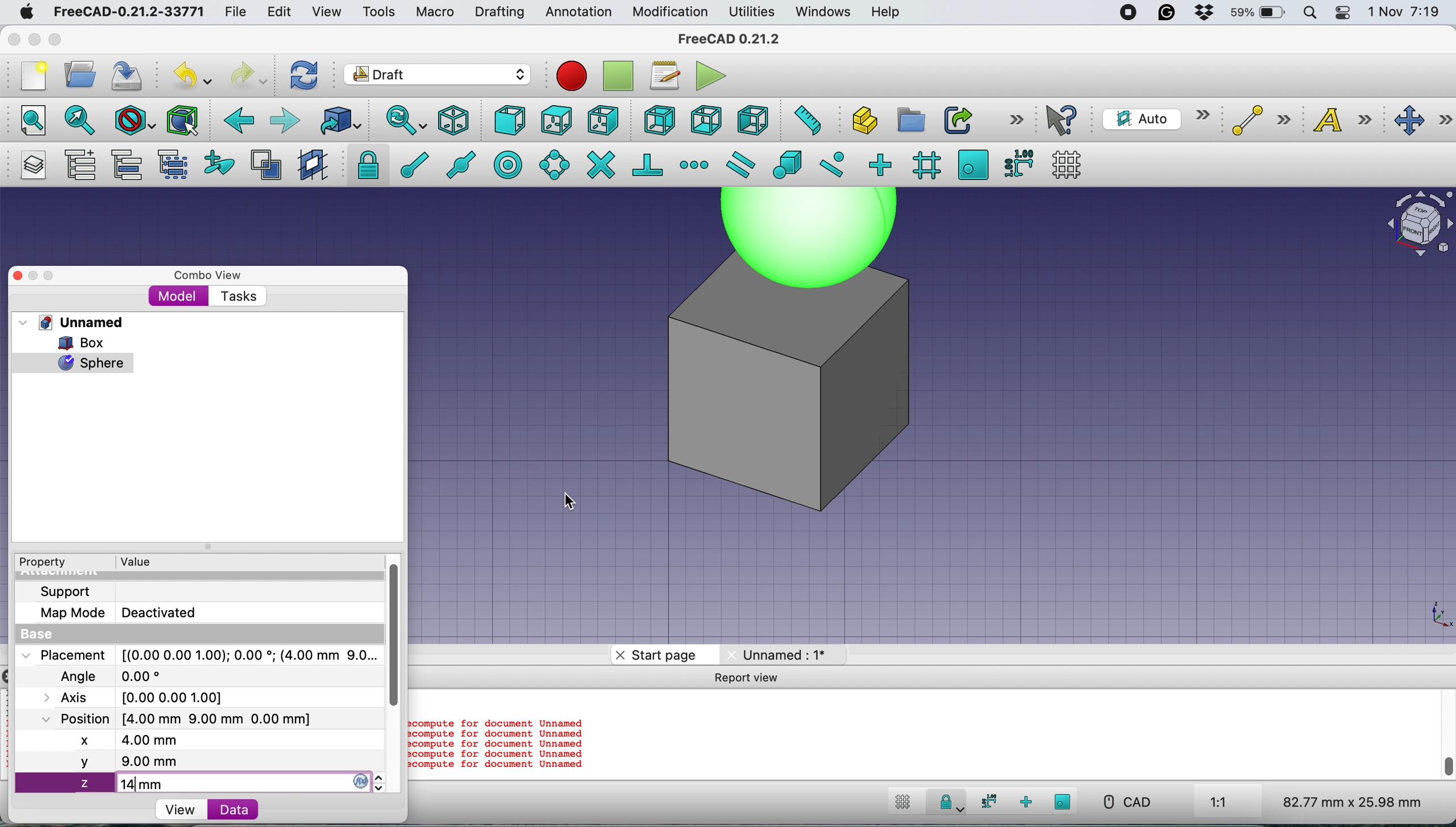  I want to click on unnamed, so click(76, 322).